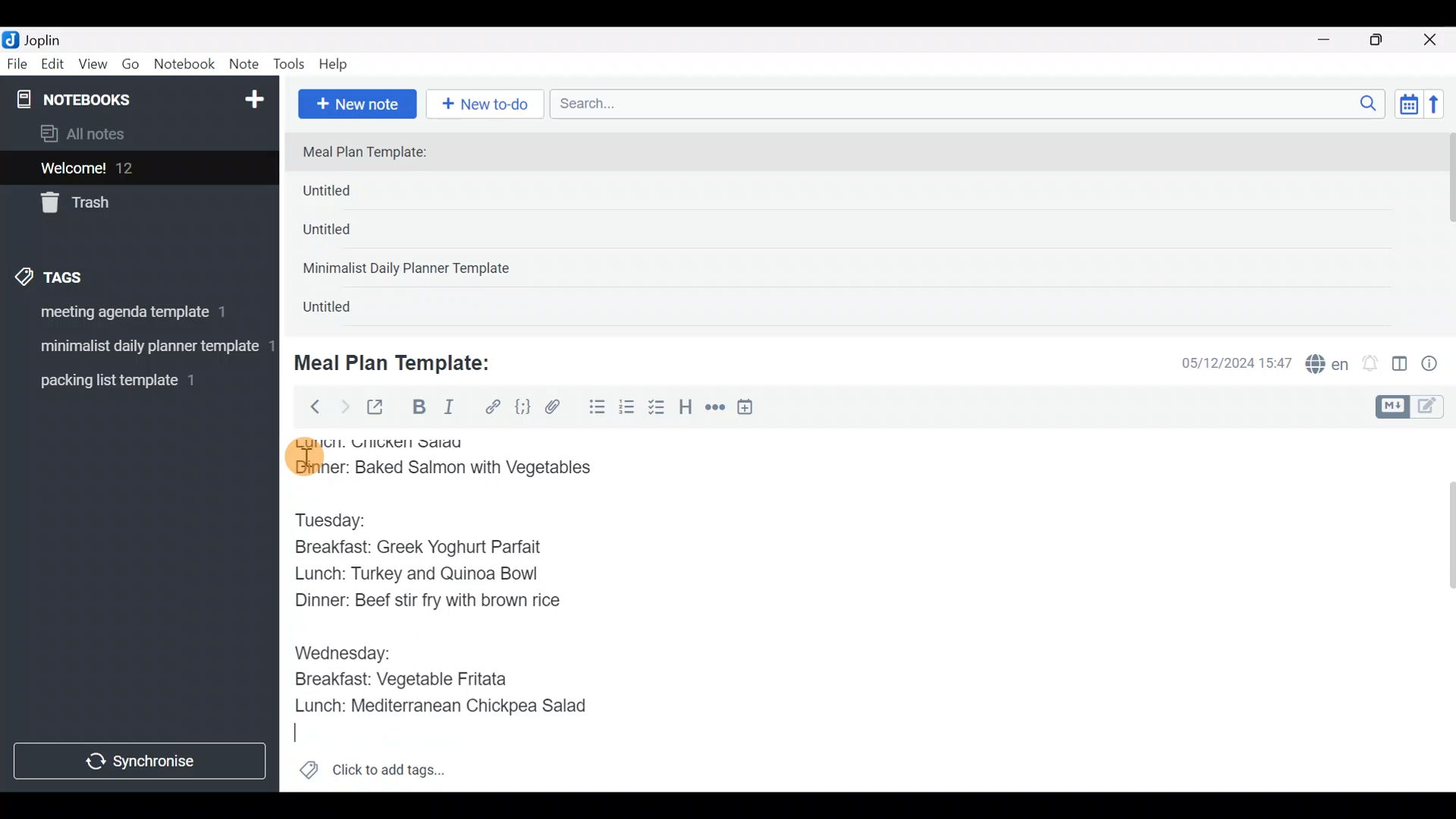 This screenshot has height=819, width=1456. What do you see at coordinates (752, 409) in the screenshot?
I see `Insert time` at bounding box center [752, 409].